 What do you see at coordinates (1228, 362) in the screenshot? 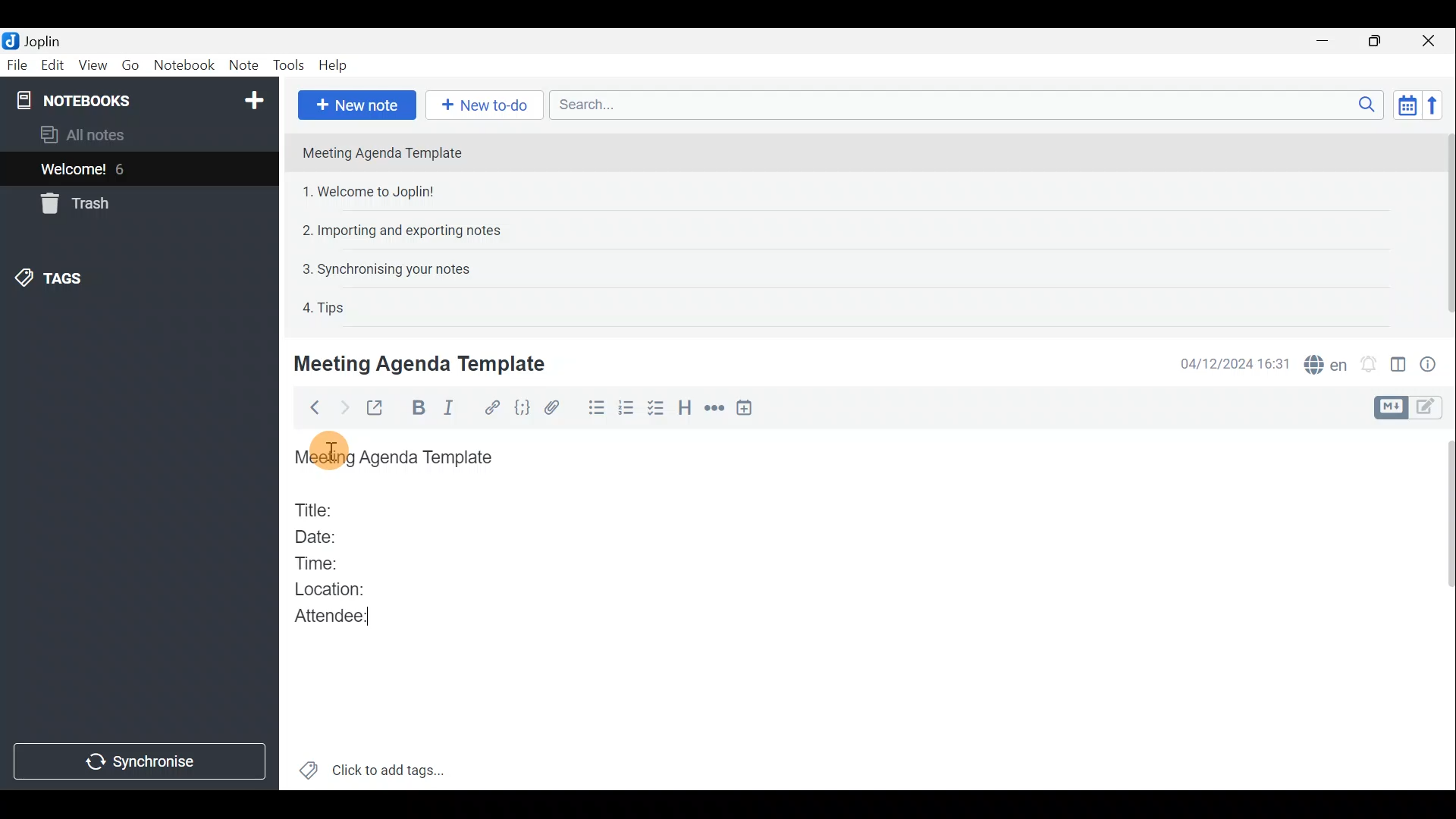
I see `04/12/2024 16:31` at bounding box center [1228, 362].